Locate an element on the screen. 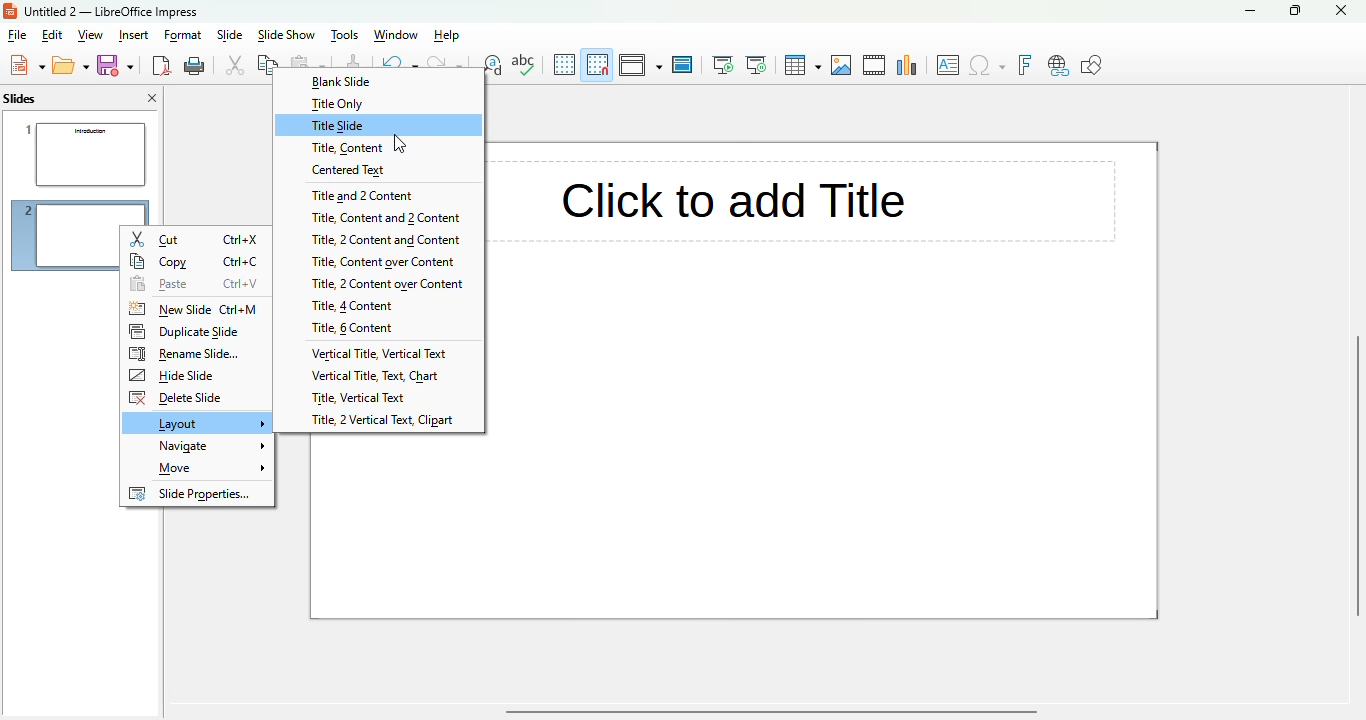  slides is located at coordinates (20, 98).